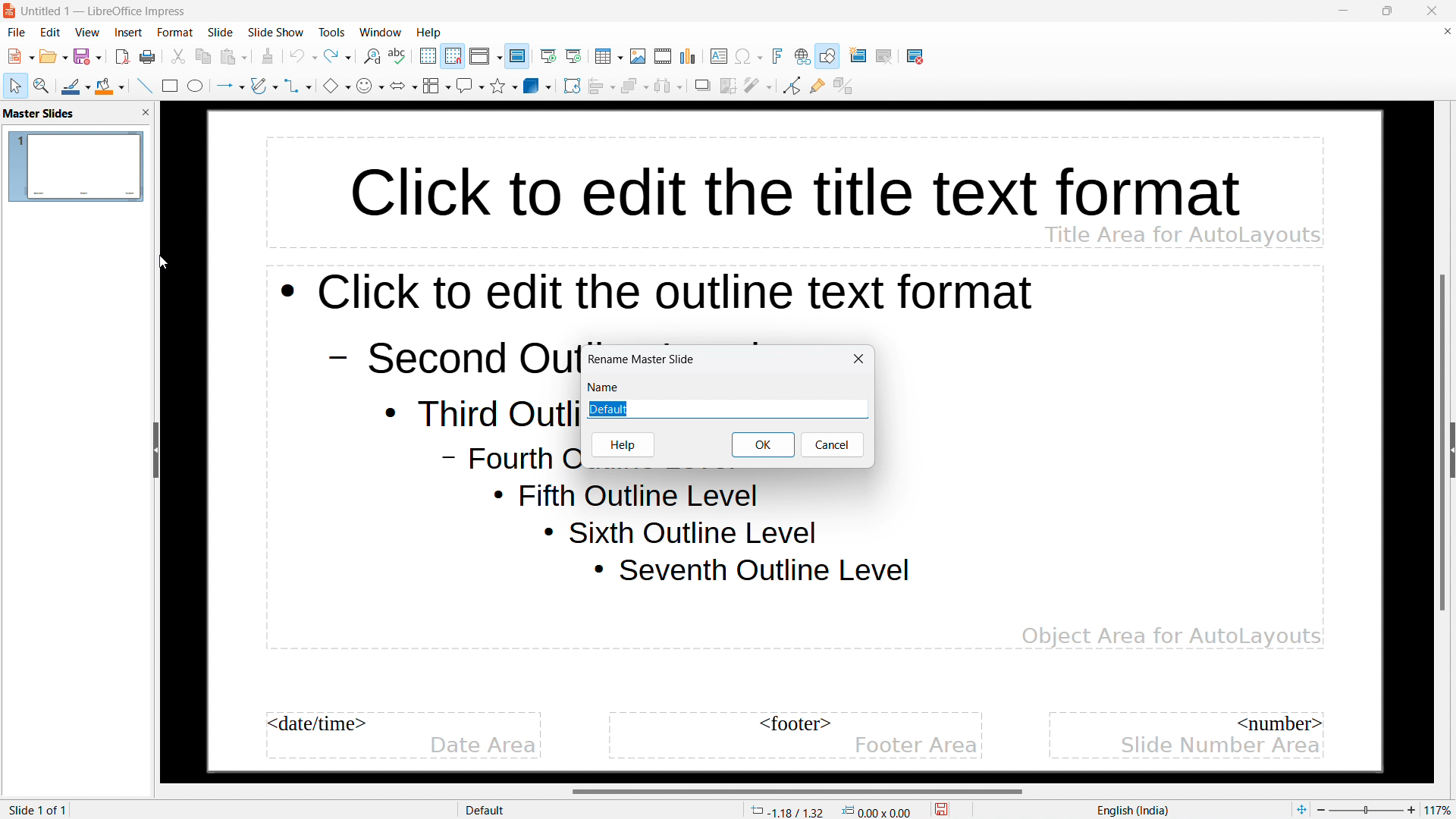 This screenshot has height=819, width=1456. Describe the element at coordinates (609, 56) in the screenshot. I see `insert table` at that location.